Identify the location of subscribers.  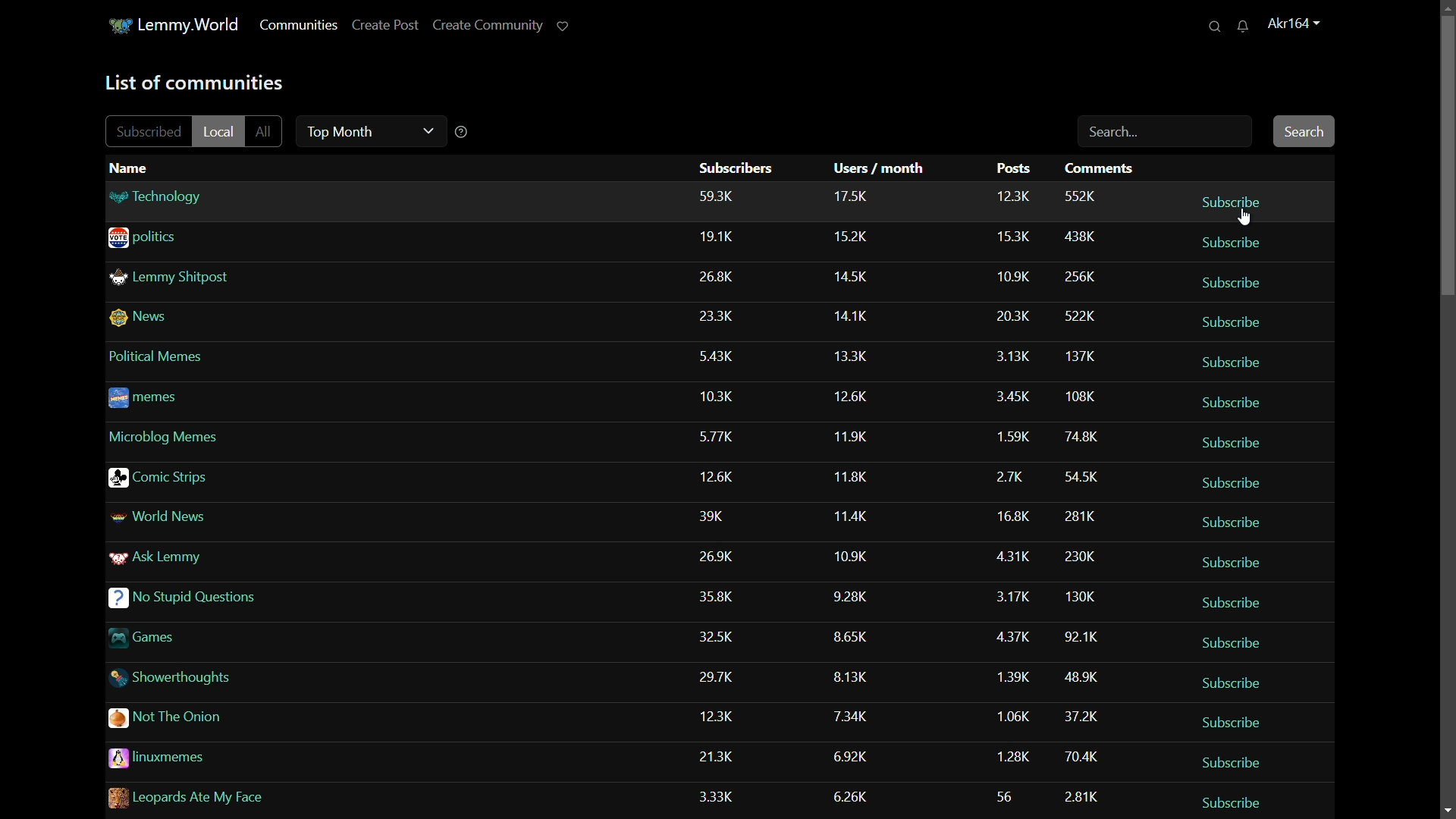
(716, 196).